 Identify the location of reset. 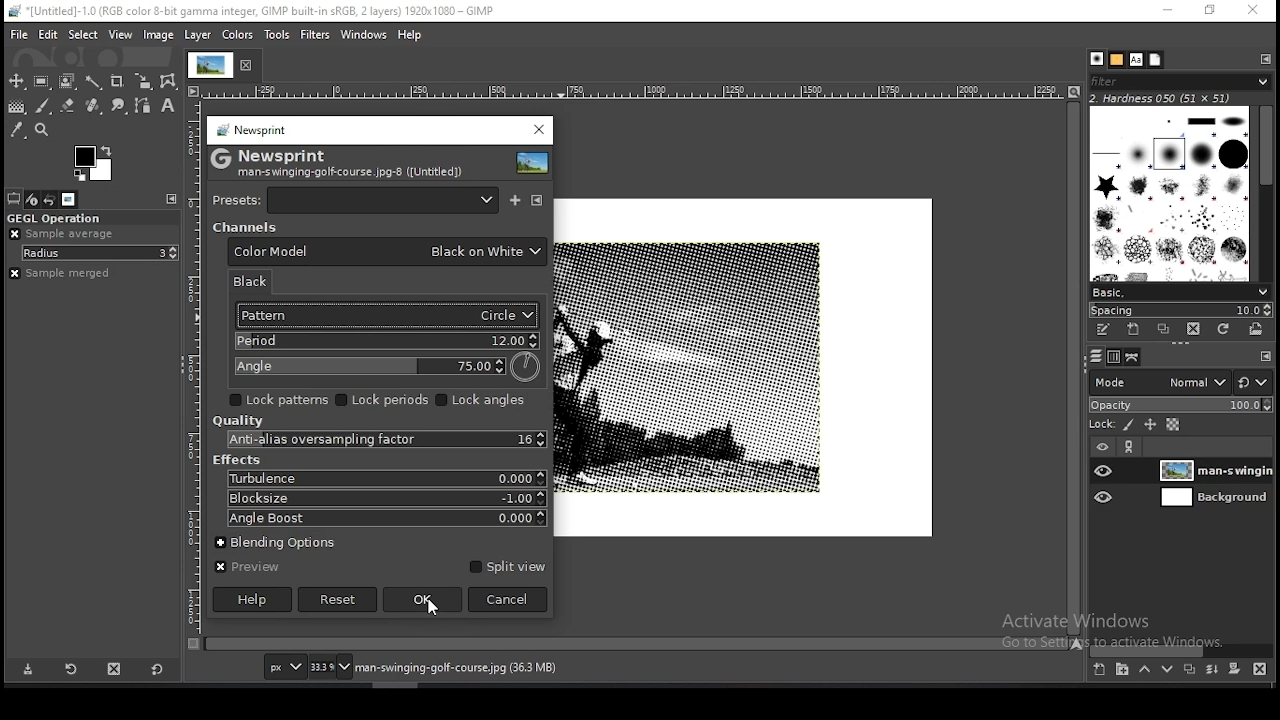
(338, 600).